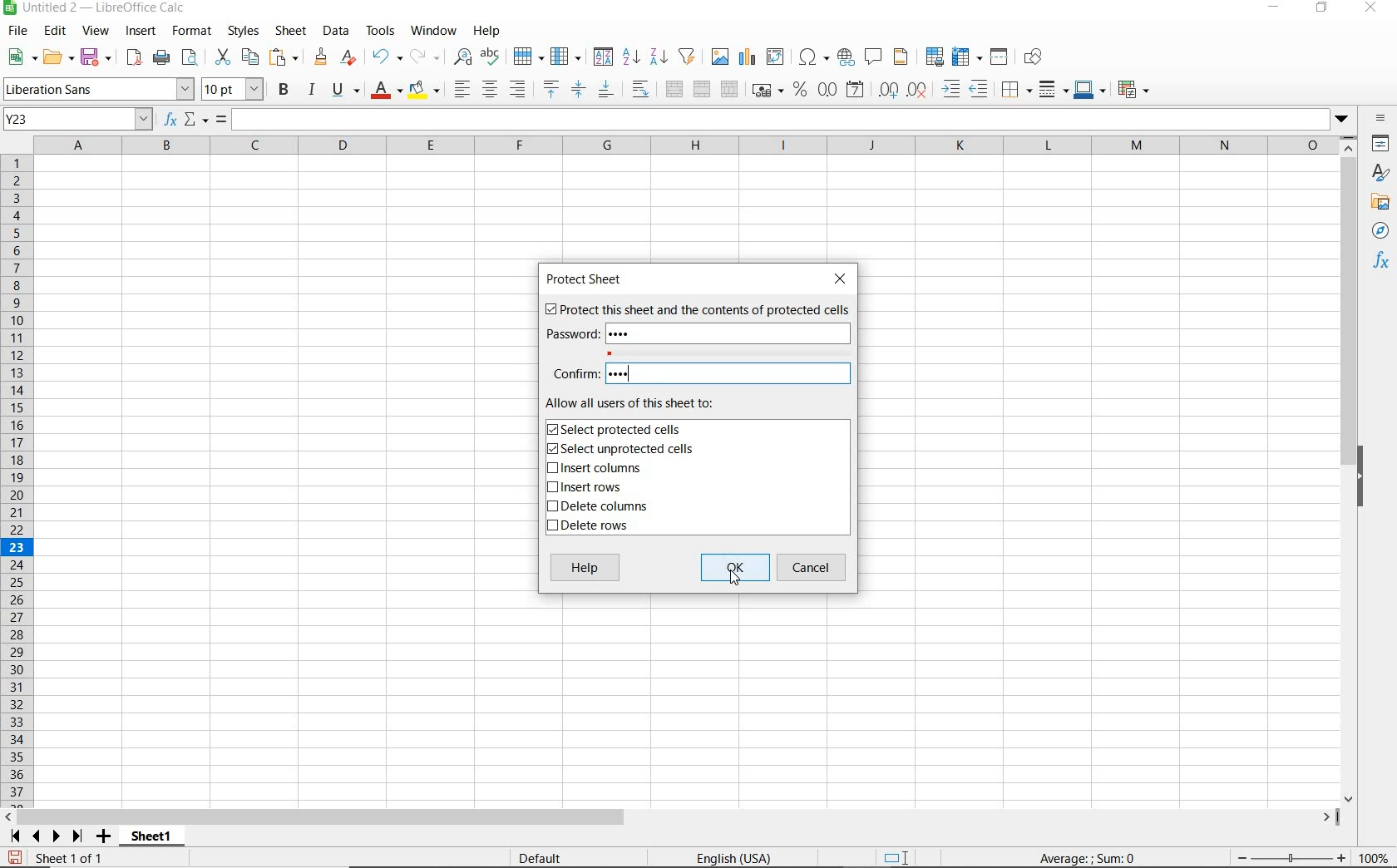 The height and width of the screenshot is (868, 1397). Describe the element at coordinates (1014, 91) in the screenshot. I see `BORDERS` at that location.